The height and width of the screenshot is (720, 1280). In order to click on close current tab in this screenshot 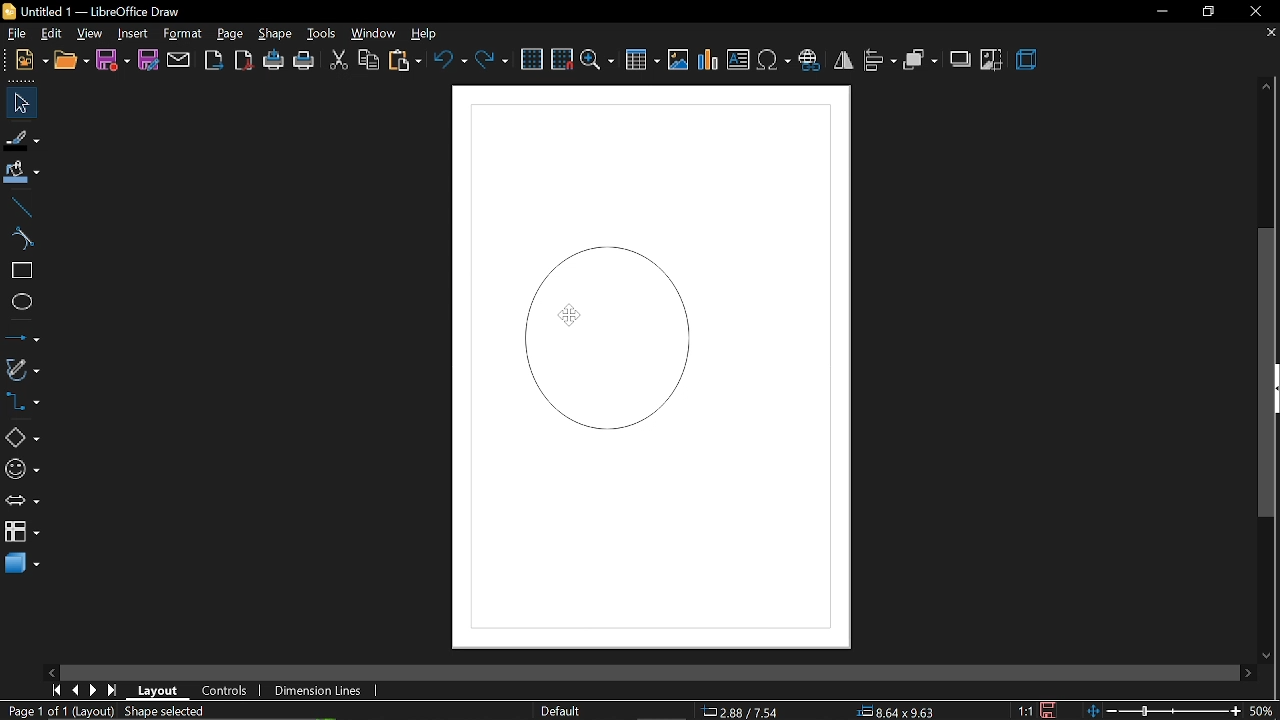, I will do `click(1269, 35)`.